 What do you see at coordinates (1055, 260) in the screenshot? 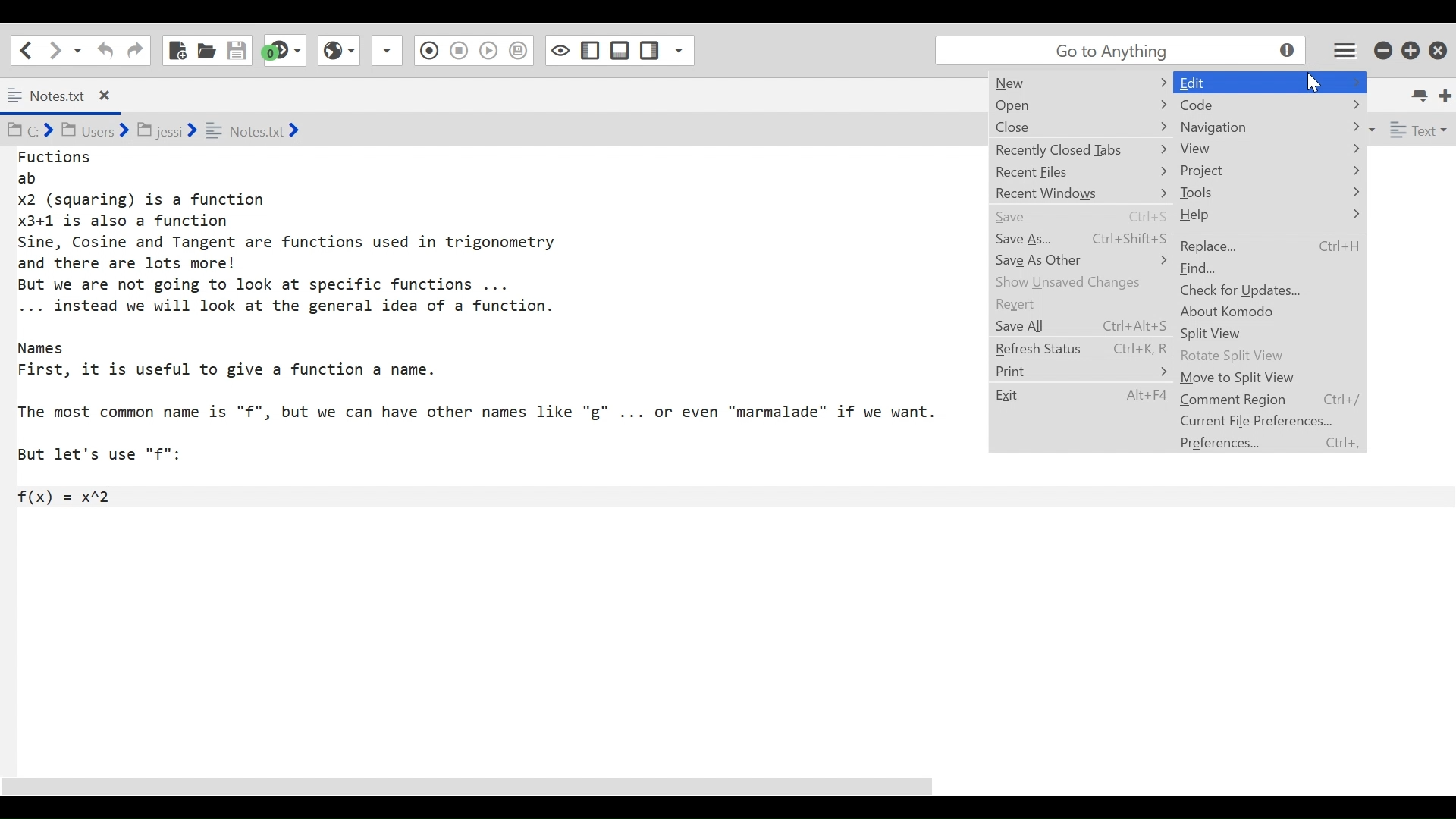
I see `save as other` at bounding box center [1055, 260].